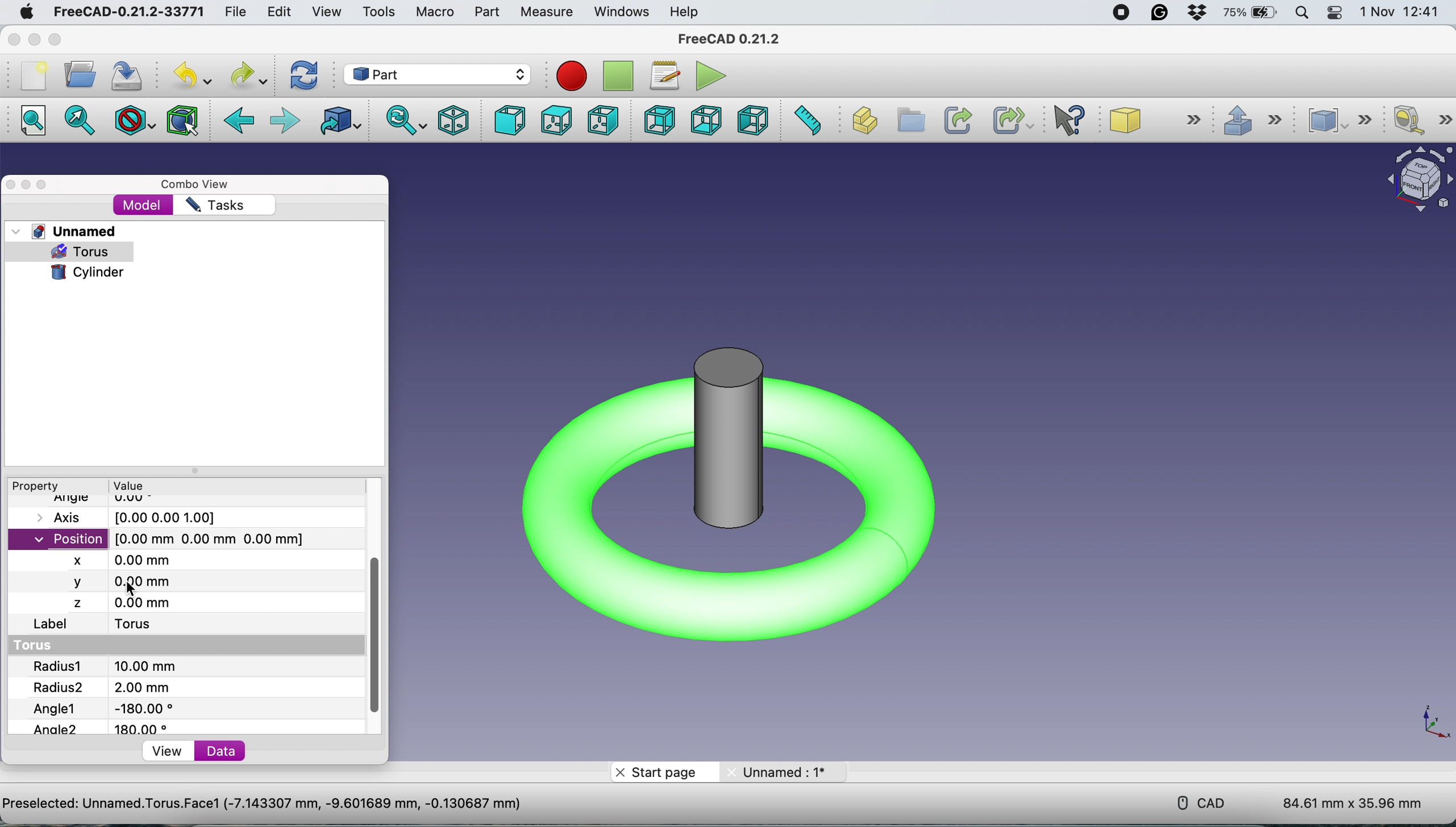 This screenshot has width=1456, height=827. Describe the element at coordinates (1196, 13) in the screenshot. I see `dropbox` at that location.